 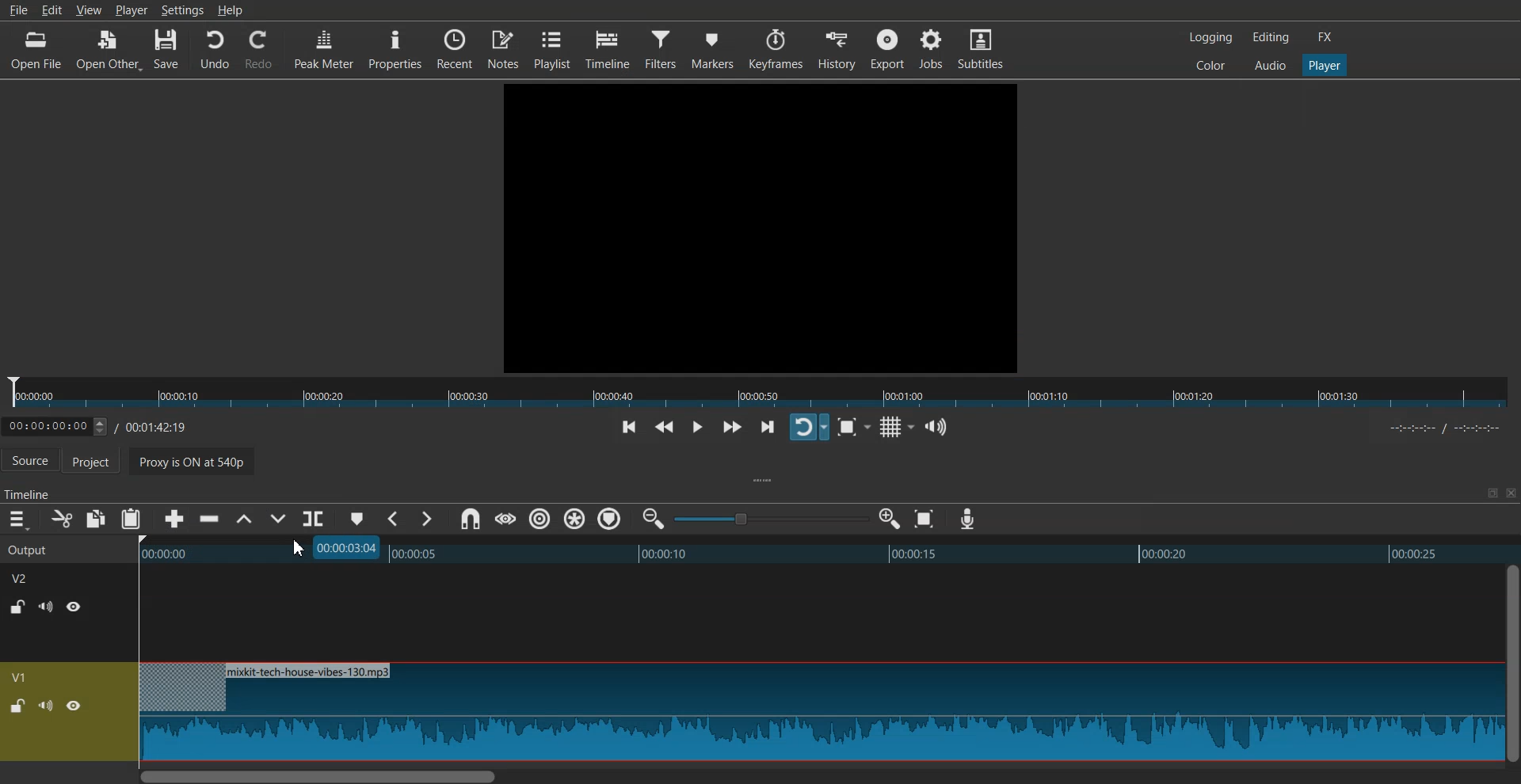 I want to click on Toggle Zoom, so click(x=849, y=428).